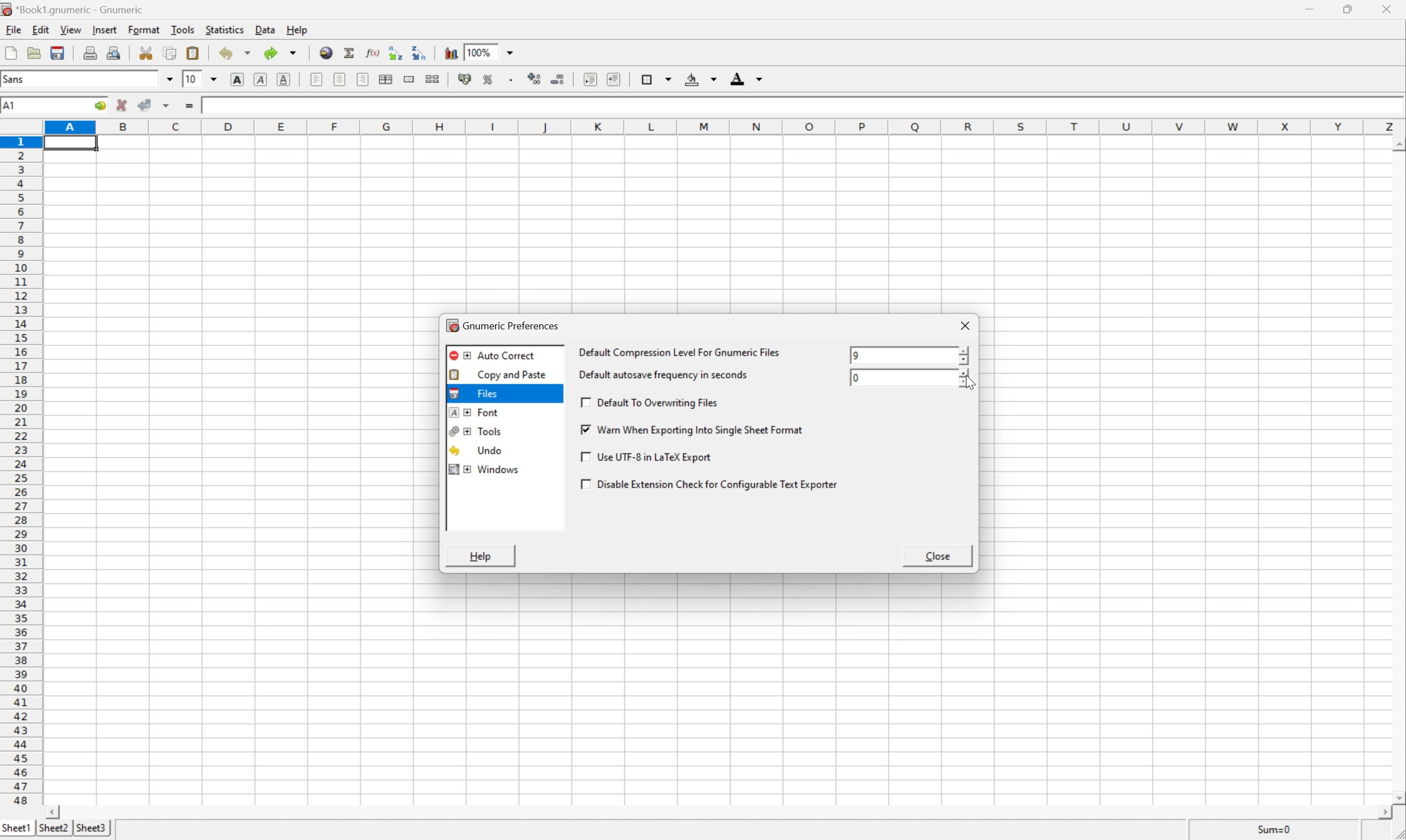 The width and height of the screenshot is (1406, 840). What do you see at coordinates (12, 29) in the screenshot?
I see `file` at bounding box center [12, 29].